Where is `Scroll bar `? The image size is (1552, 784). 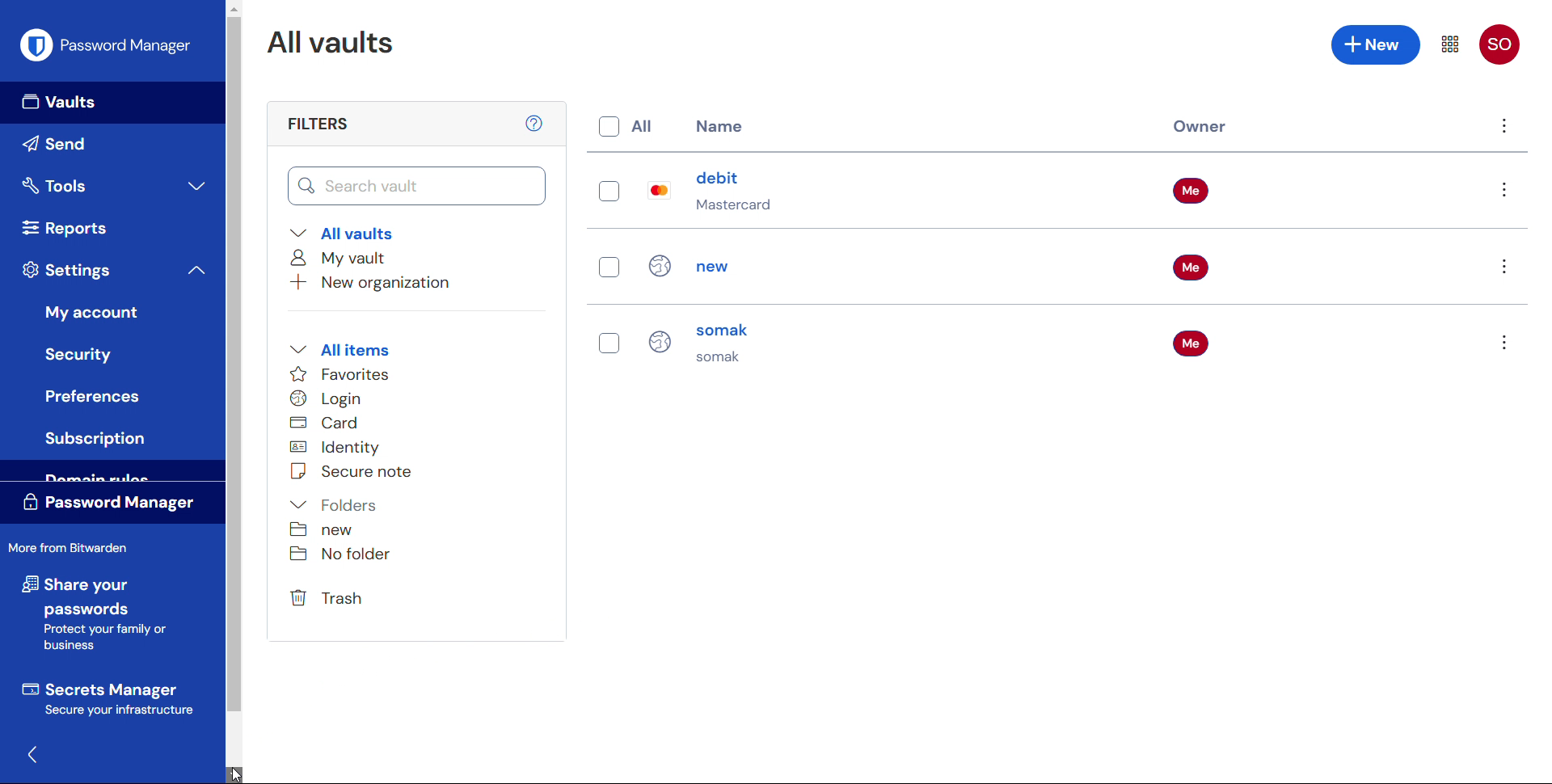
Scroll bar  is located at coordinates (232, 362).